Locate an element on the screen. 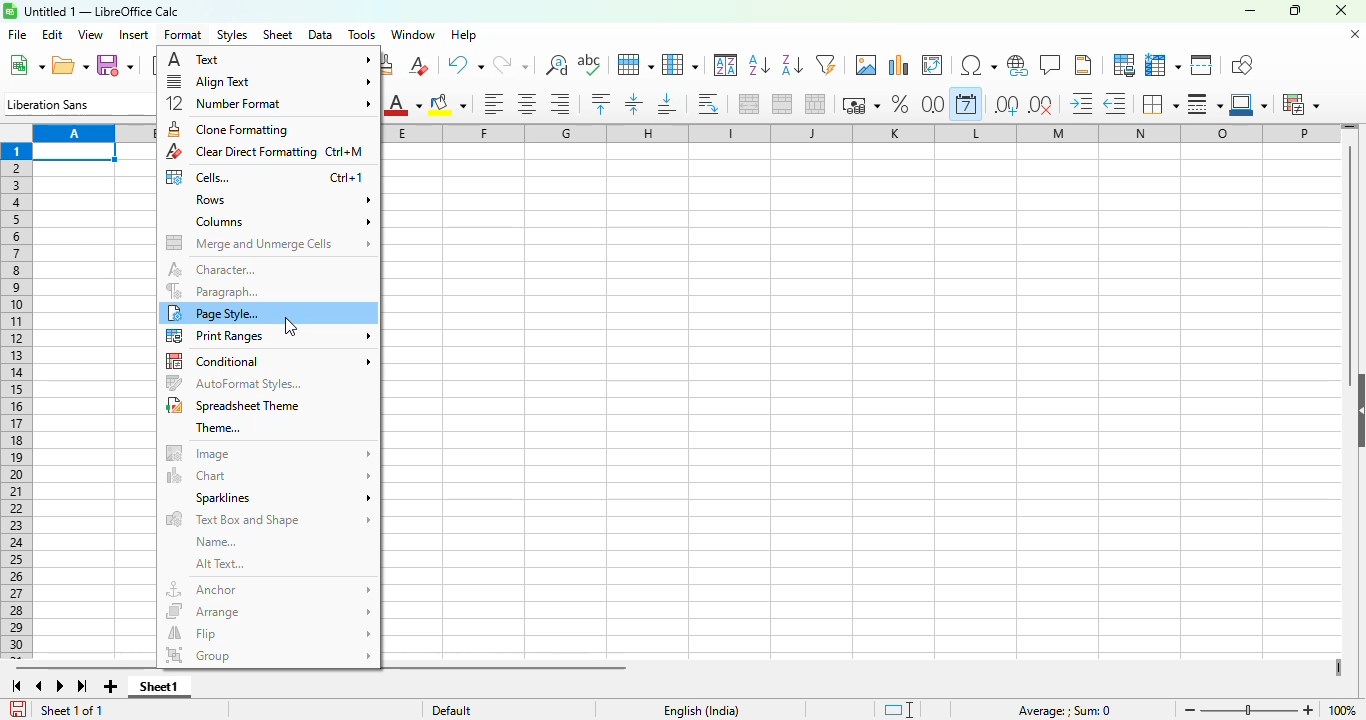 This screenshot has width=1366, height=720. align center is located at coordinates (528, 105).